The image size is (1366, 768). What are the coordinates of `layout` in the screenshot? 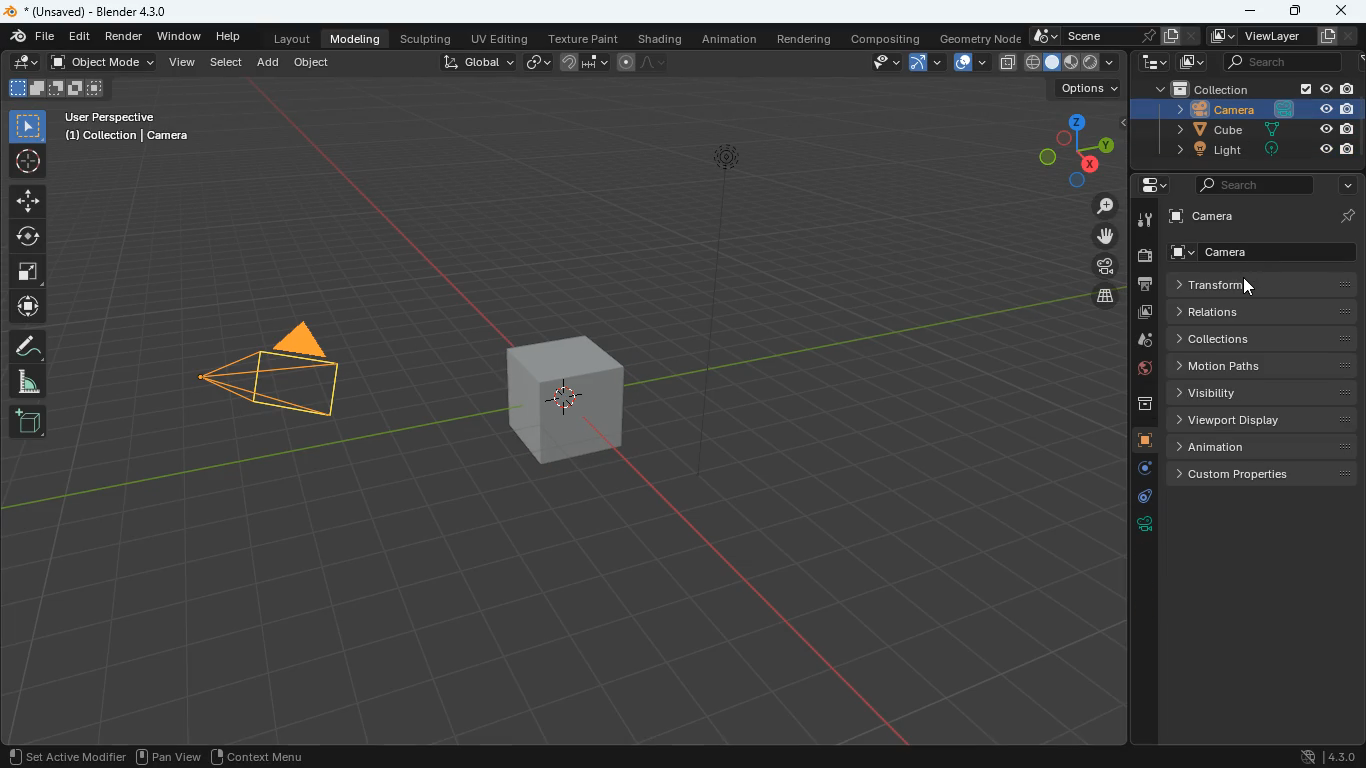 It's located at (288, 38).